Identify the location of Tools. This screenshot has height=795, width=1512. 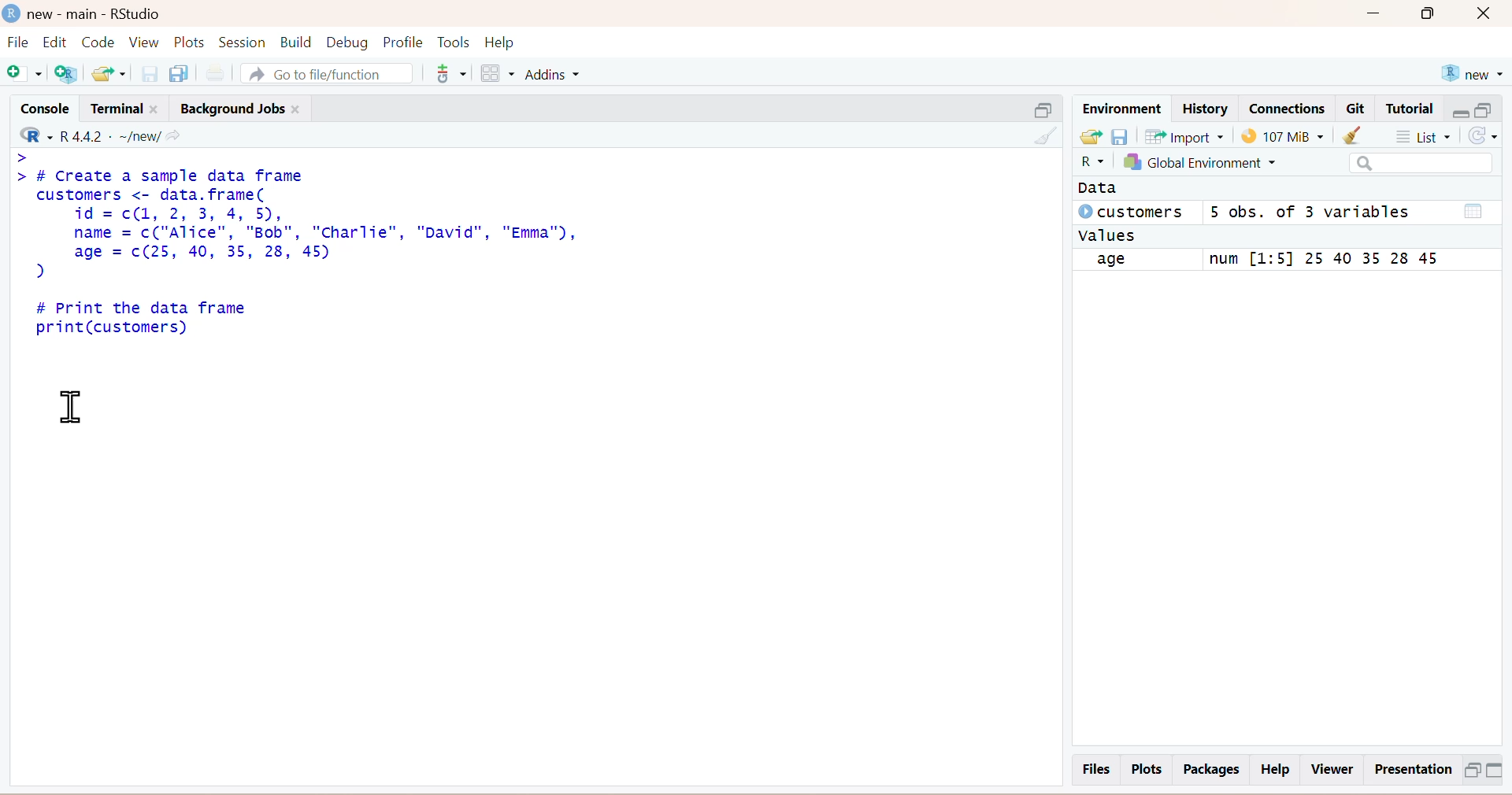
(454, 40).